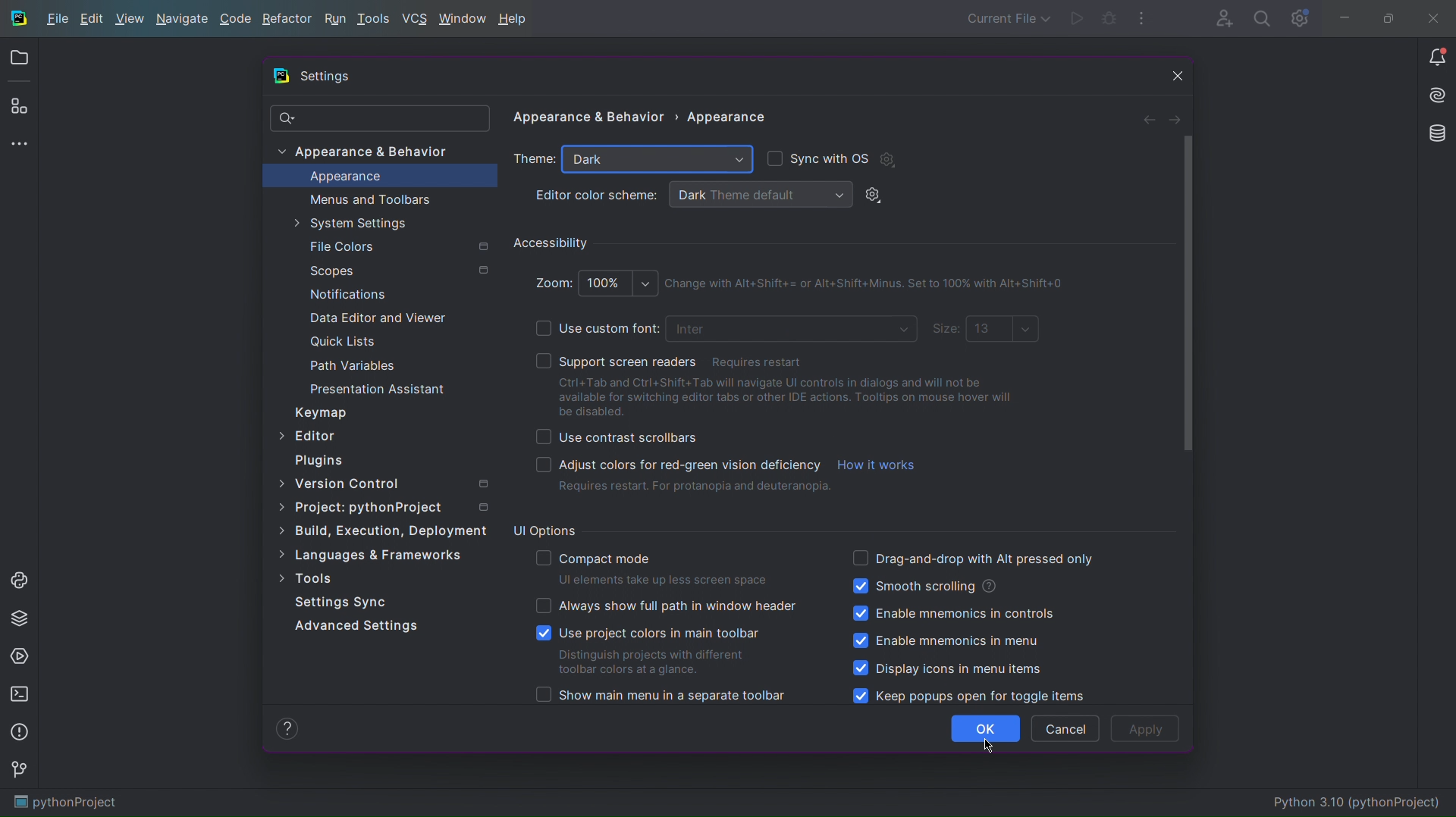 This screenshot has height=817, width=1456. I want to click on Appearance & Behavior, so click(369, 152).